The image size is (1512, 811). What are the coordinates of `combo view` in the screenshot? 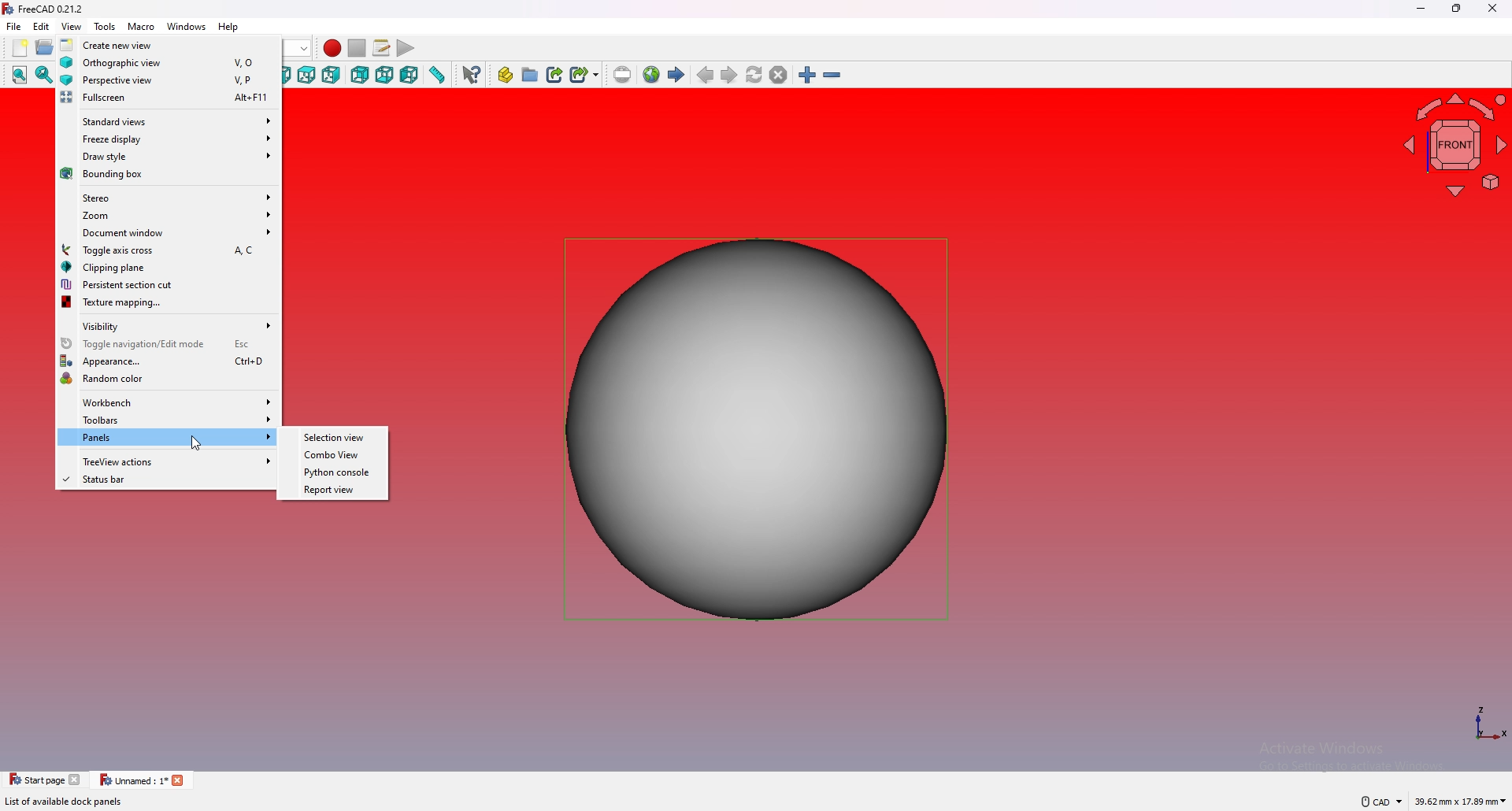 It's located at (334, 455).